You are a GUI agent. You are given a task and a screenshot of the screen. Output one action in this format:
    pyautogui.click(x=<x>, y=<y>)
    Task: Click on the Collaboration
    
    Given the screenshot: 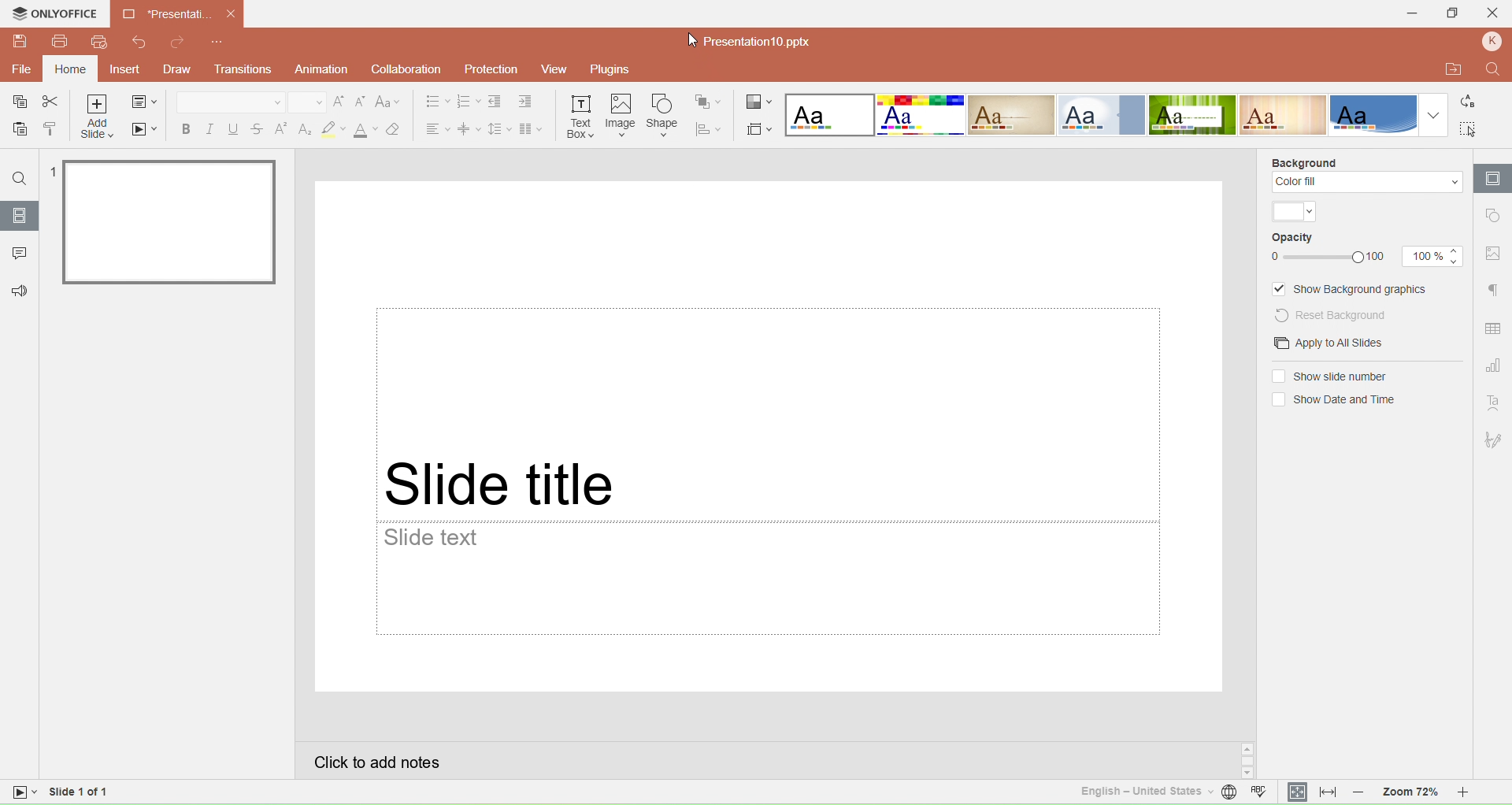 What is the action you would take?
    pyautogui.click(x=403, y=69)
    